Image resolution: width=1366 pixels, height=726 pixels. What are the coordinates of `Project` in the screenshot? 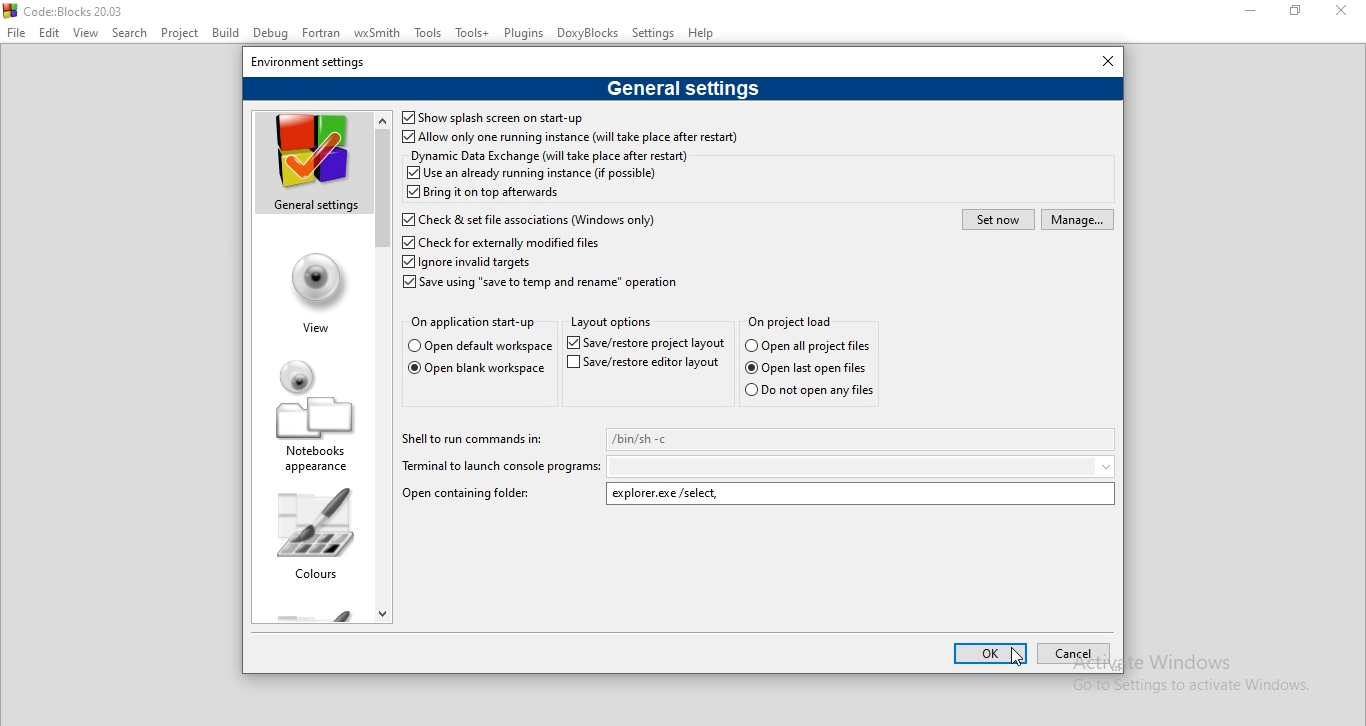 It's located at (180, 35).